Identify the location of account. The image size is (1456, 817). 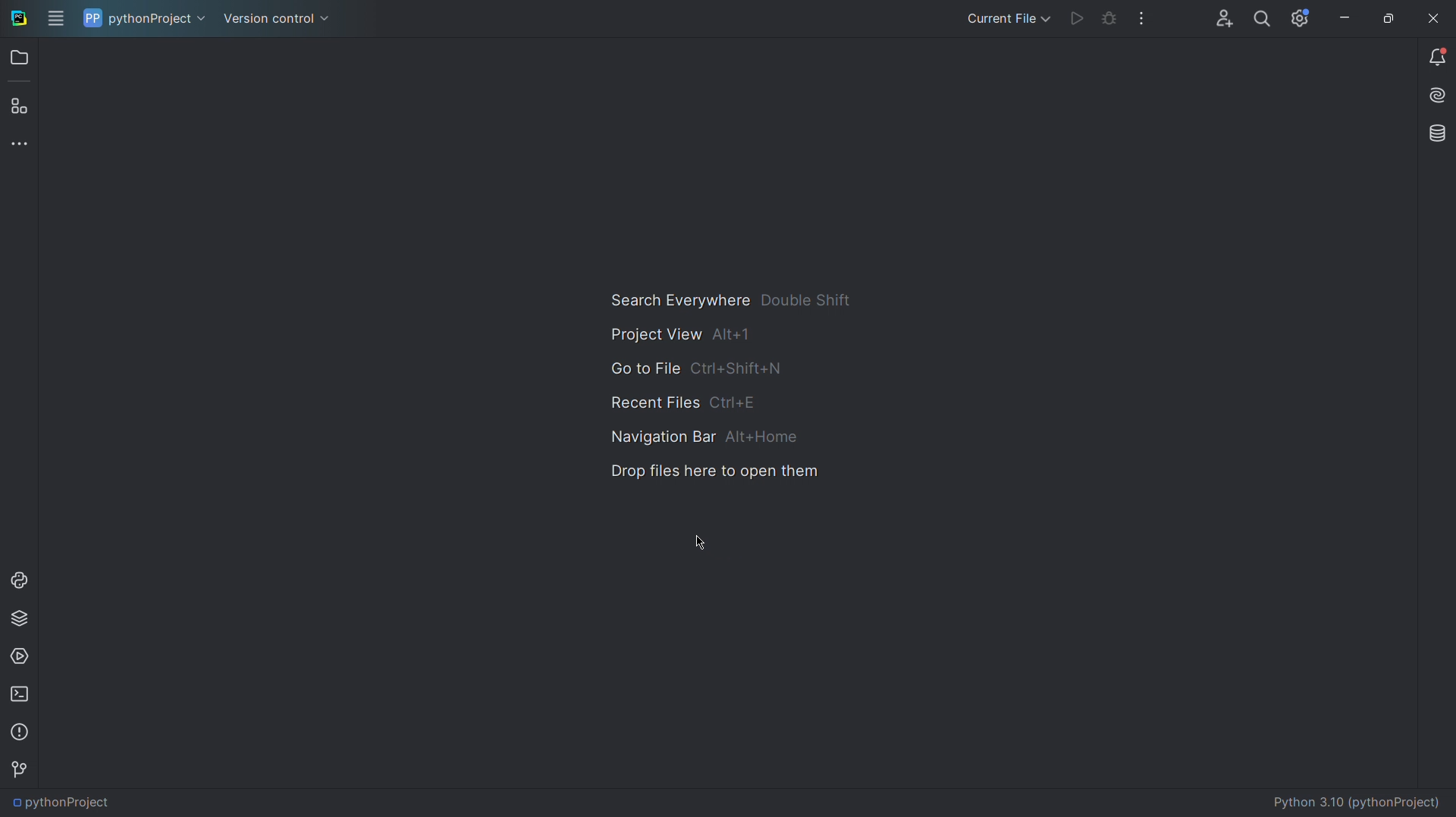
(1225, 17).